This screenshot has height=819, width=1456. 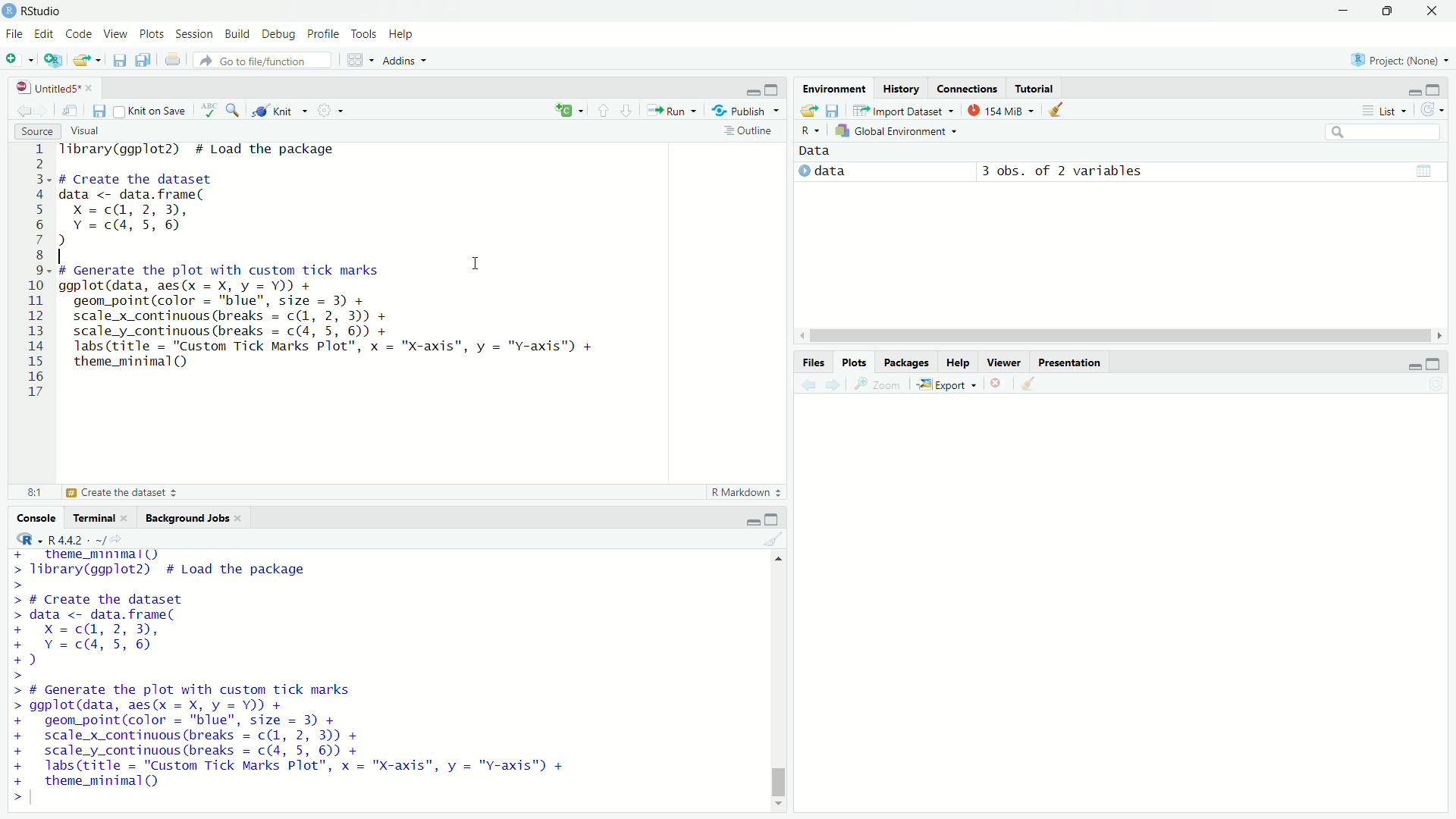 I want to click on select language, so click(x=22, y=539).